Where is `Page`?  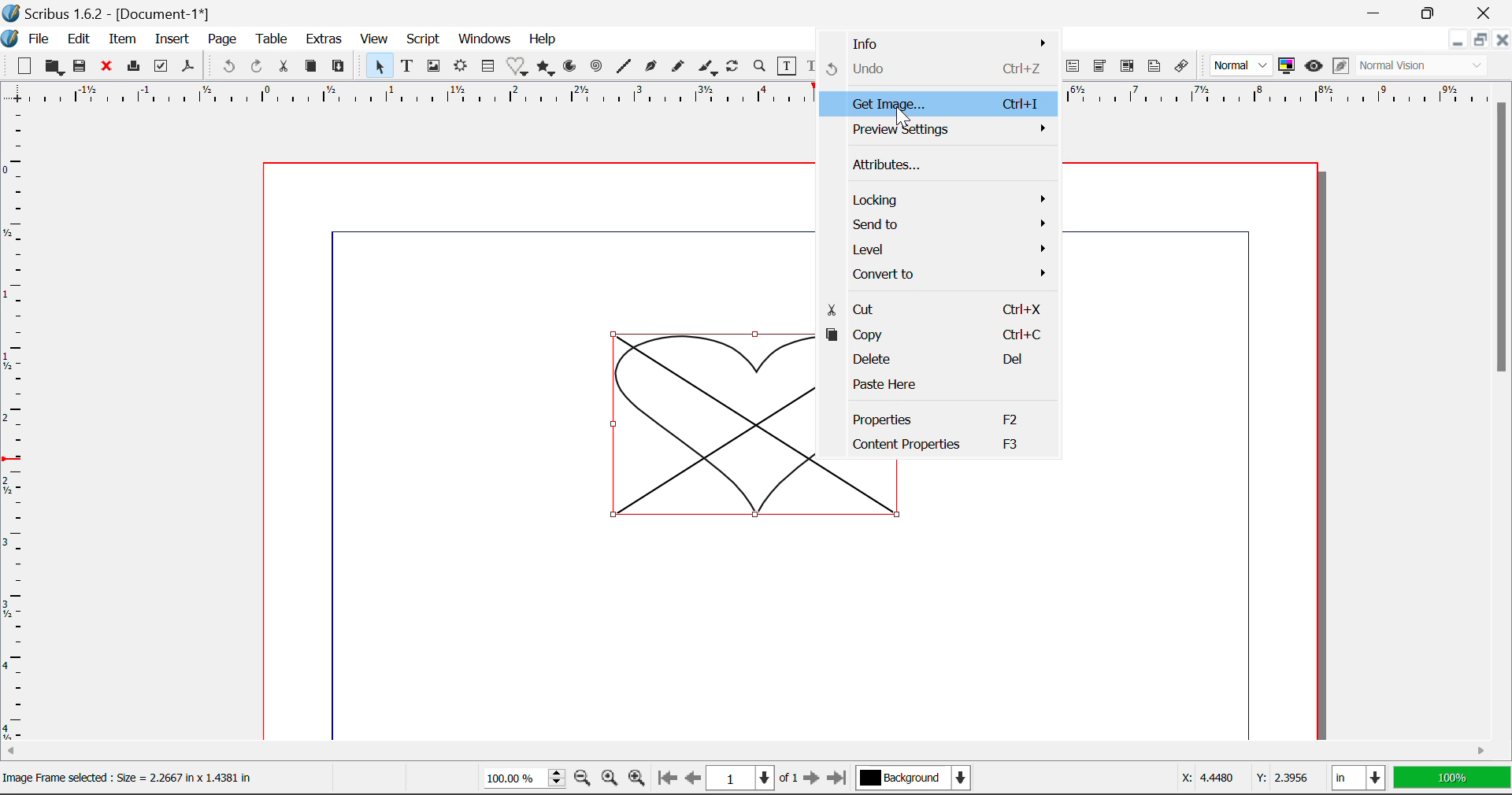
Page is located at coordinates (224, 39).